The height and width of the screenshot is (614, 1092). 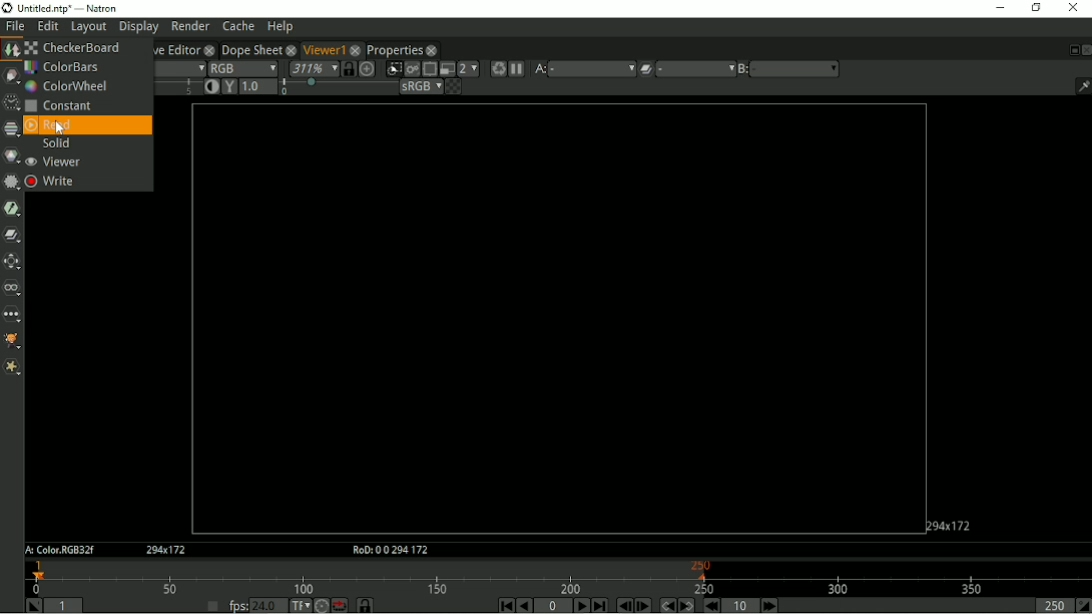 What do you see at coordinates (1073, 9) in the screenshot?
I see `Close` at bounding box center [1073, 9].